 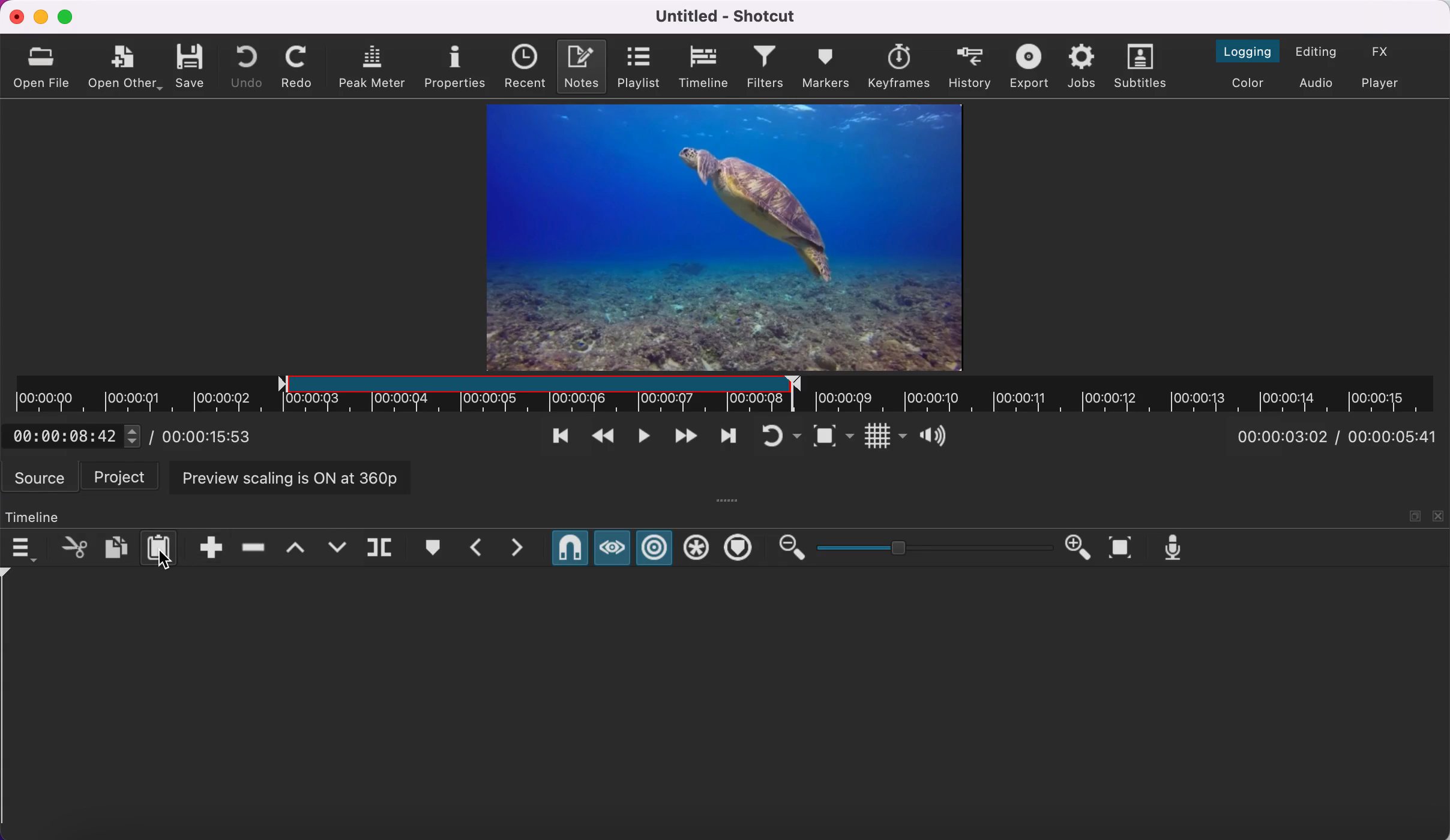 What do you see at coordinates (1251, 83) in the screenshot?
I see `switch to the color layout` at bounding box center [1251, 83].